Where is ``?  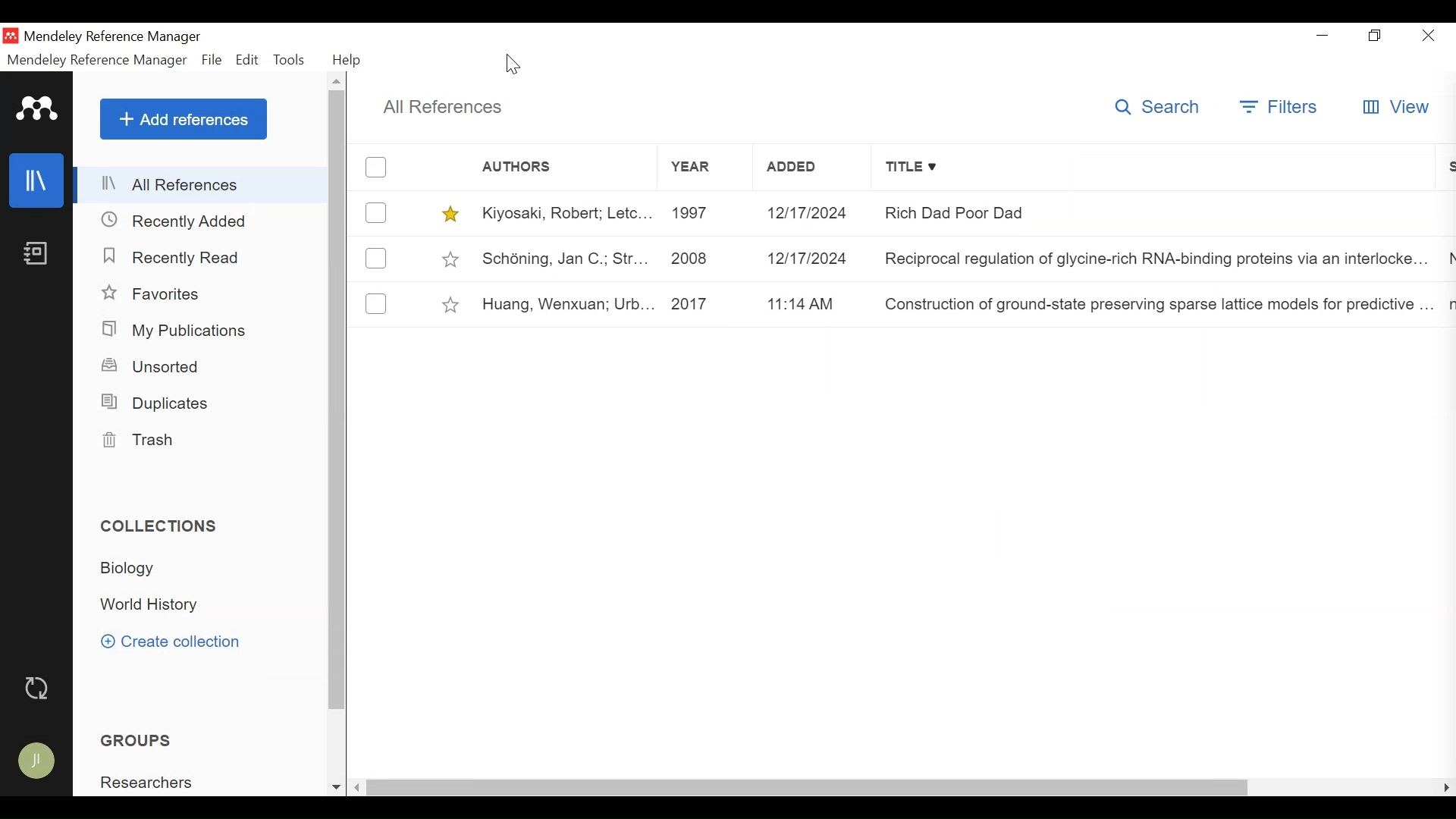  is located at coordinates (181, 119).